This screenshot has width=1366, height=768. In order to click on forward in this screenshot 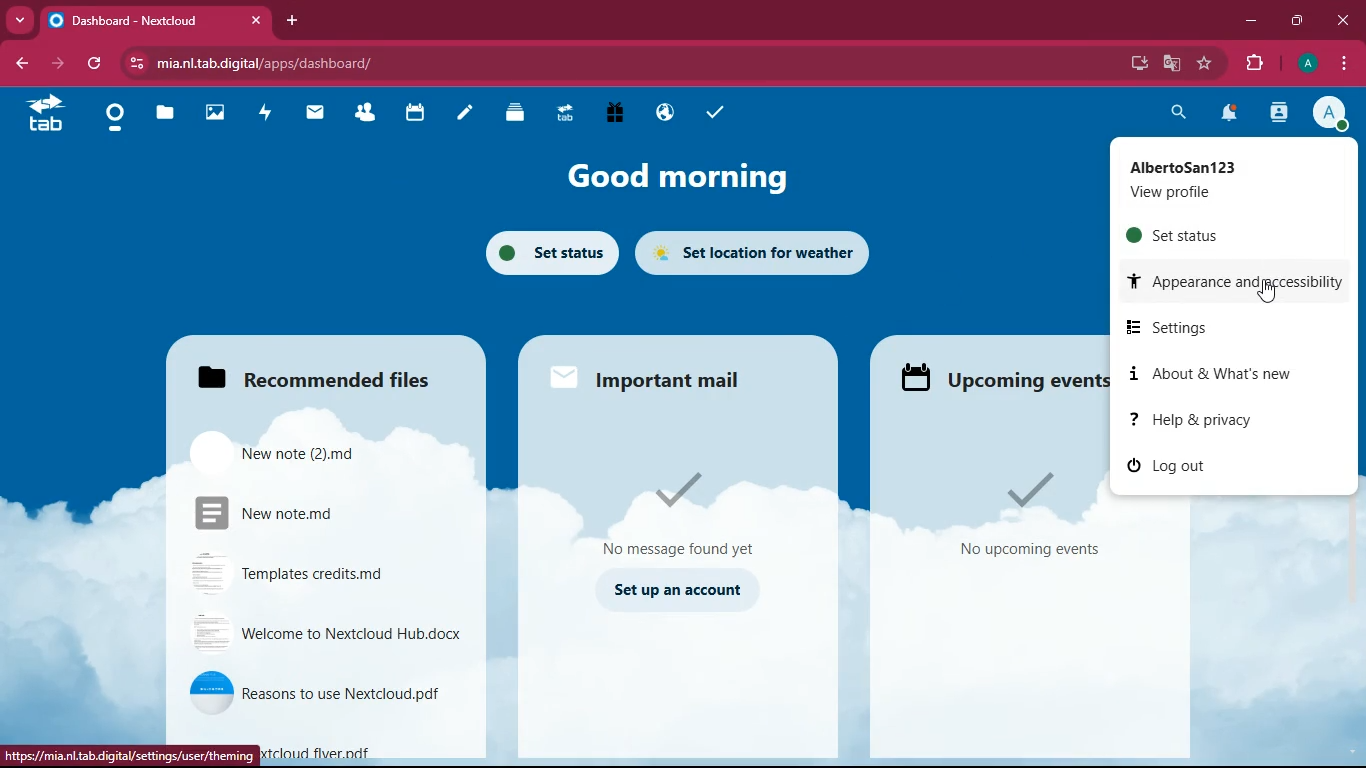, I will do `click(54, 65)`.